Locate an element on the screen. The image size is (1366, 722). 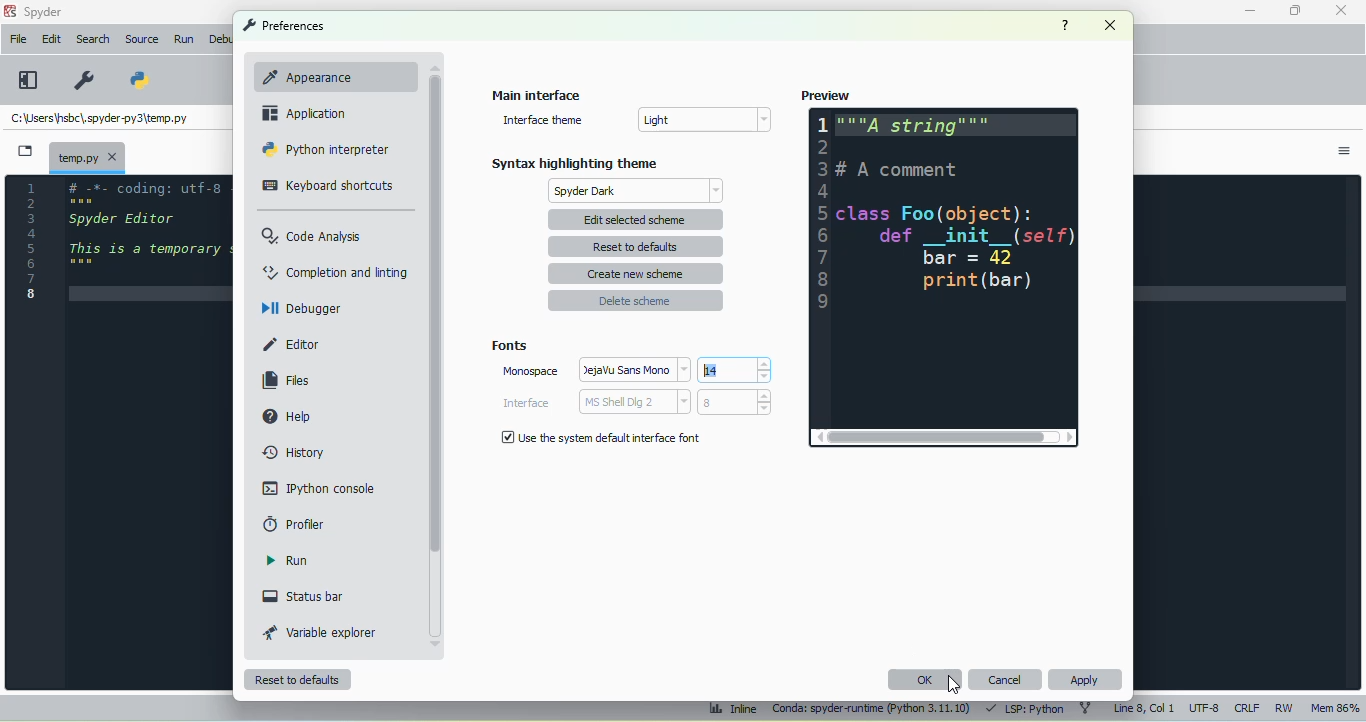
run is located at coordinates (287, 560).